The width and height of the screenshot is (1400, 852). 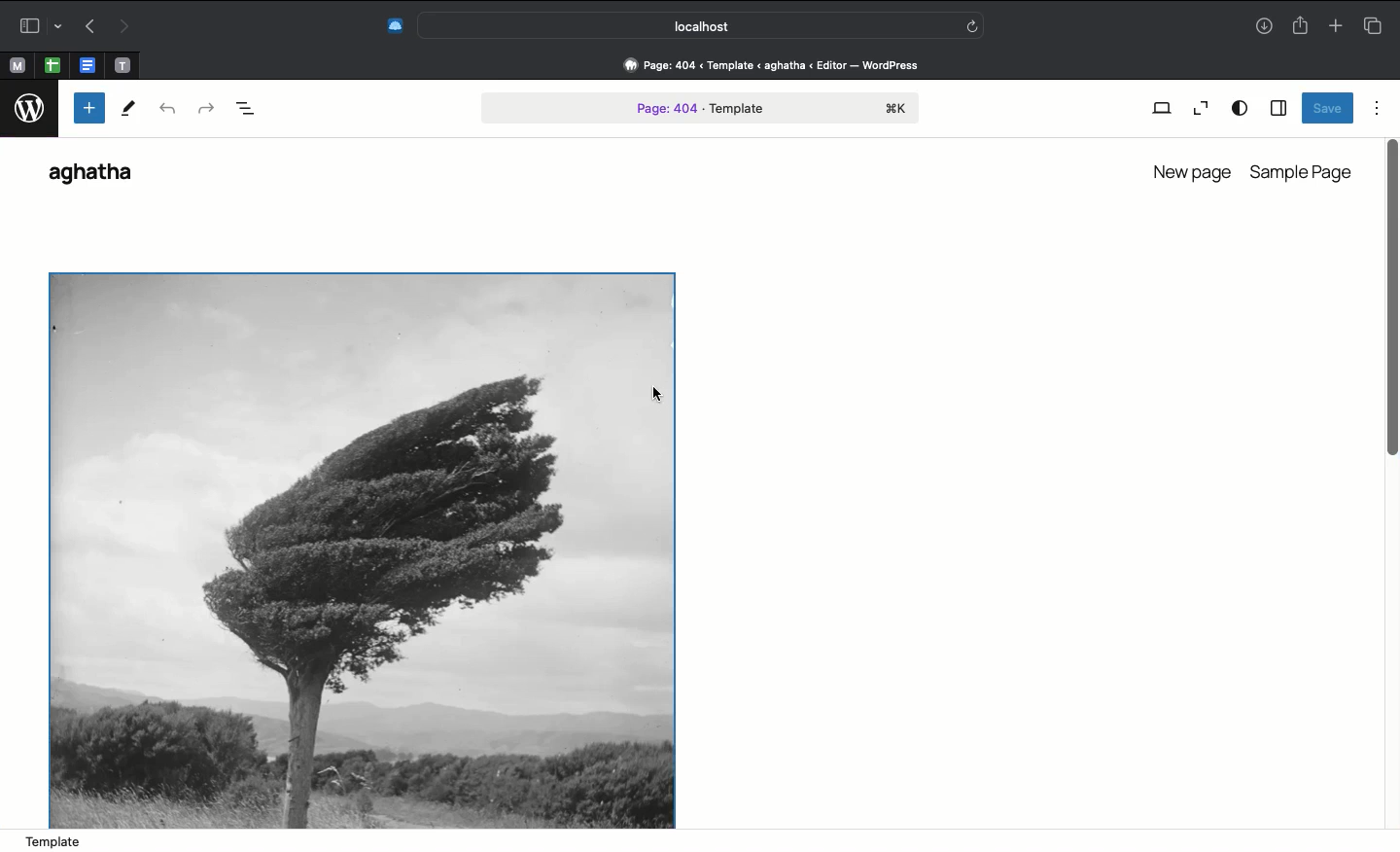 I want to click on open tab, so click(x=17, y=66).